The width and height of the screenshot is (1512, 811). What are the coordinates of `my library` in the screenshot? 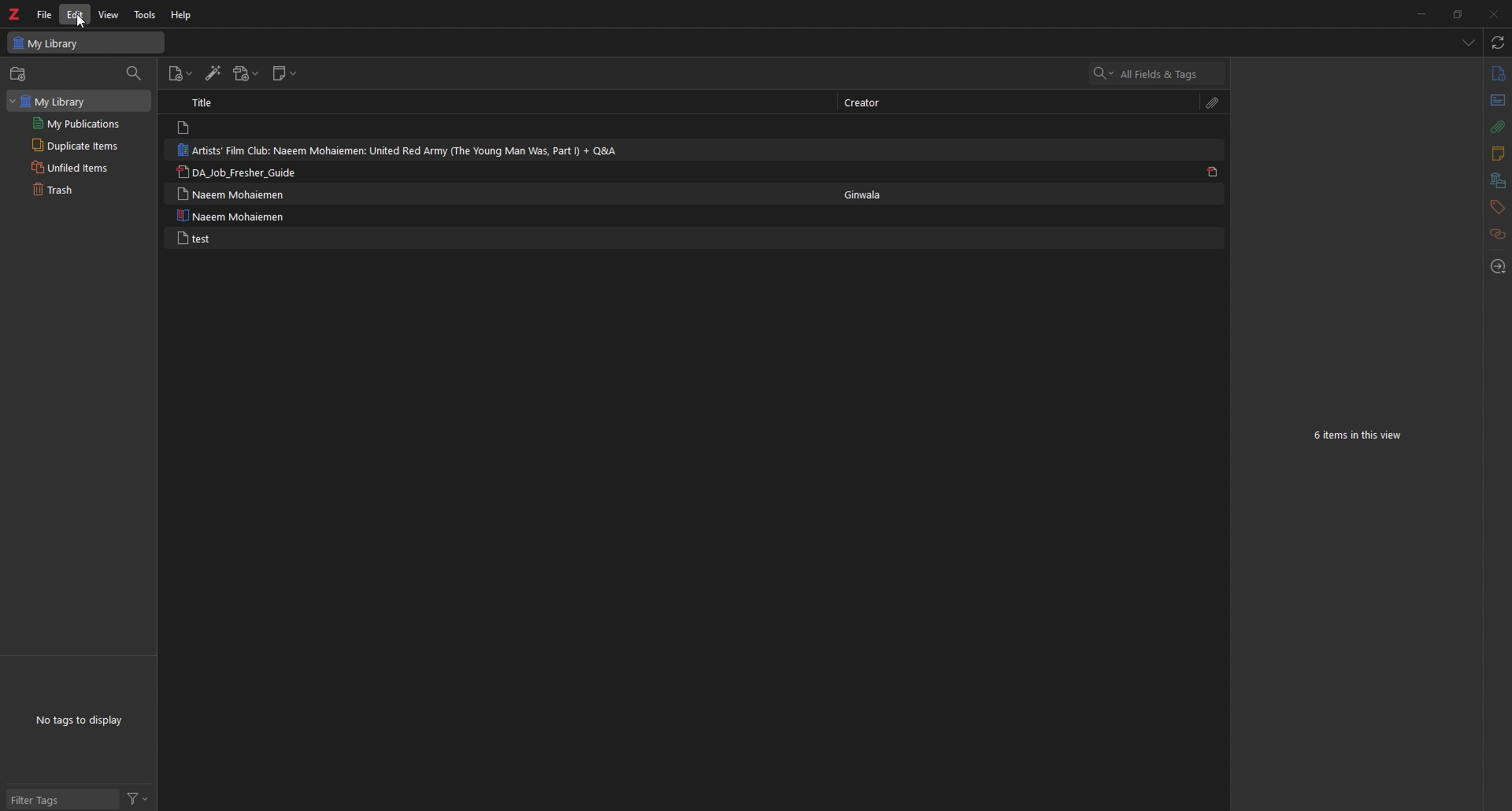 It's located at (85, 43).